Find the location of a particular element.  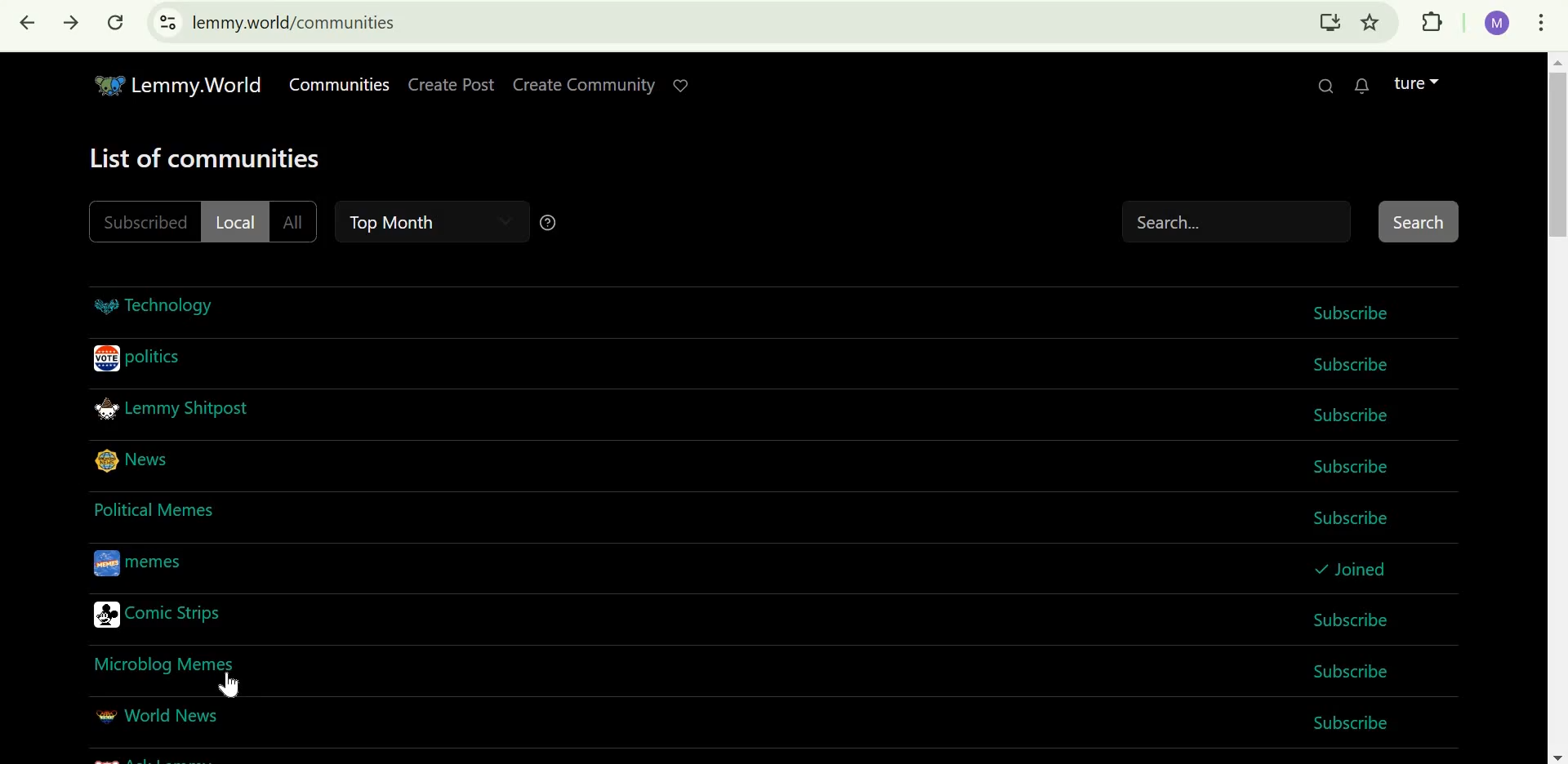

Extensions is located at coordinates (1430, 22).